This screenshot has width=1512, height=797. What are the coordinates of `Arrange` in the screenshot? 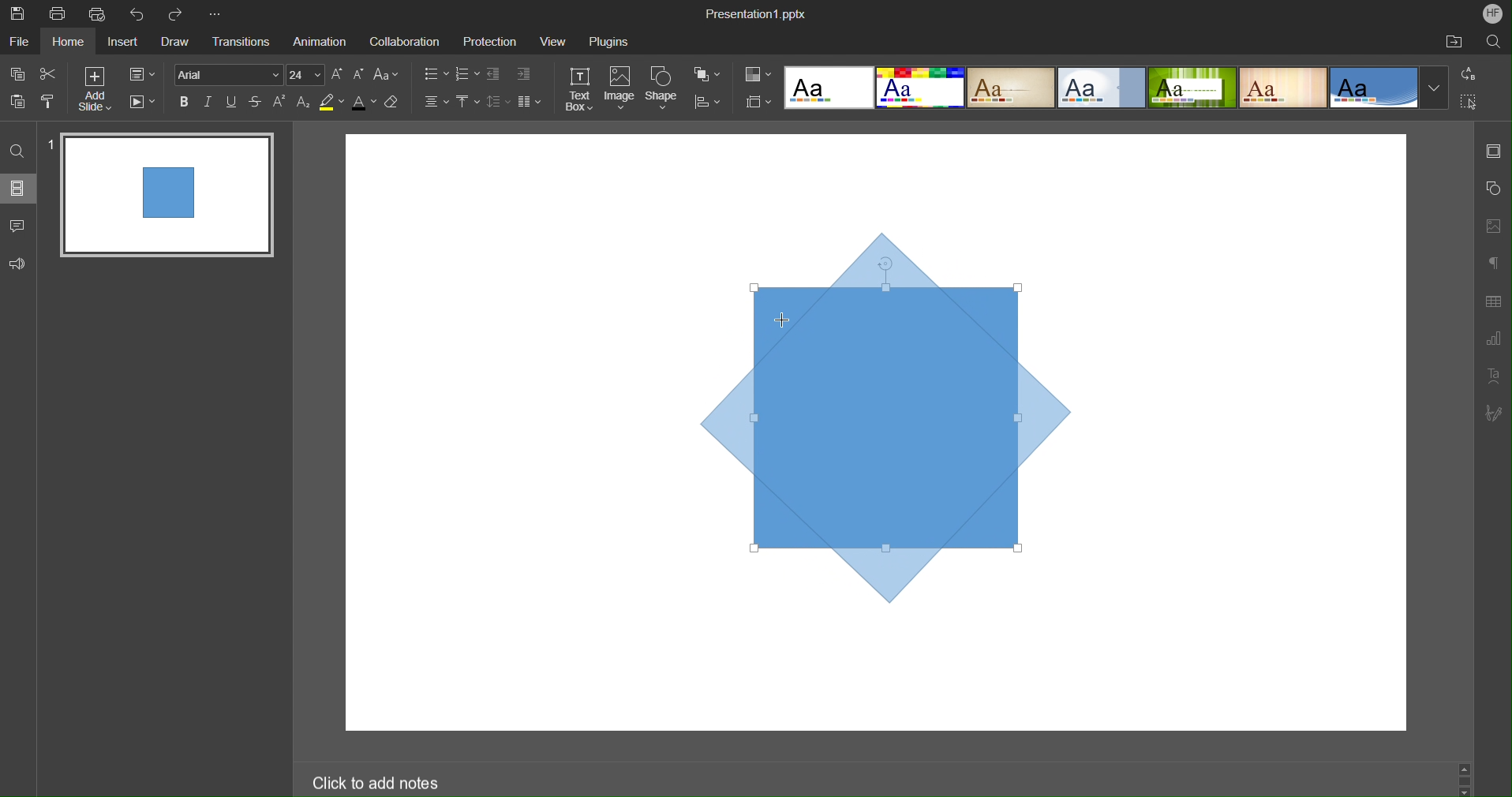 It's located at (709, 74).